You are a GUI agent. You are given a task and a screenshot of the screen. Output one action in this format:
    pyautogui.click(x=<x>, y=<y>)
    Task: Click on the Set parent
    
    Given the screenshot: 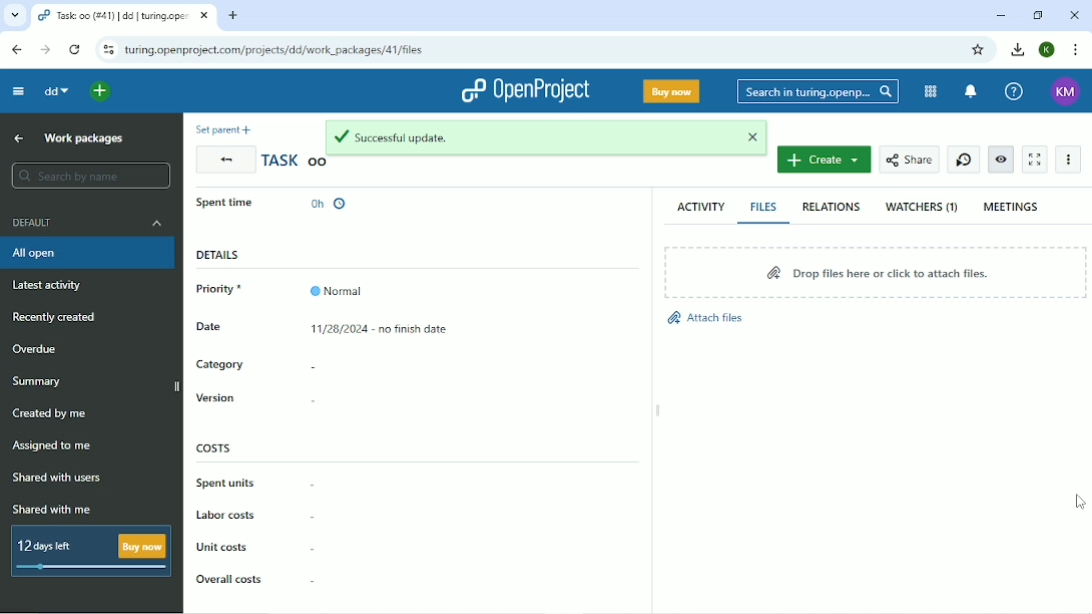 What is the action you would take?
    pyautogui.click(x=222, y=129)
    